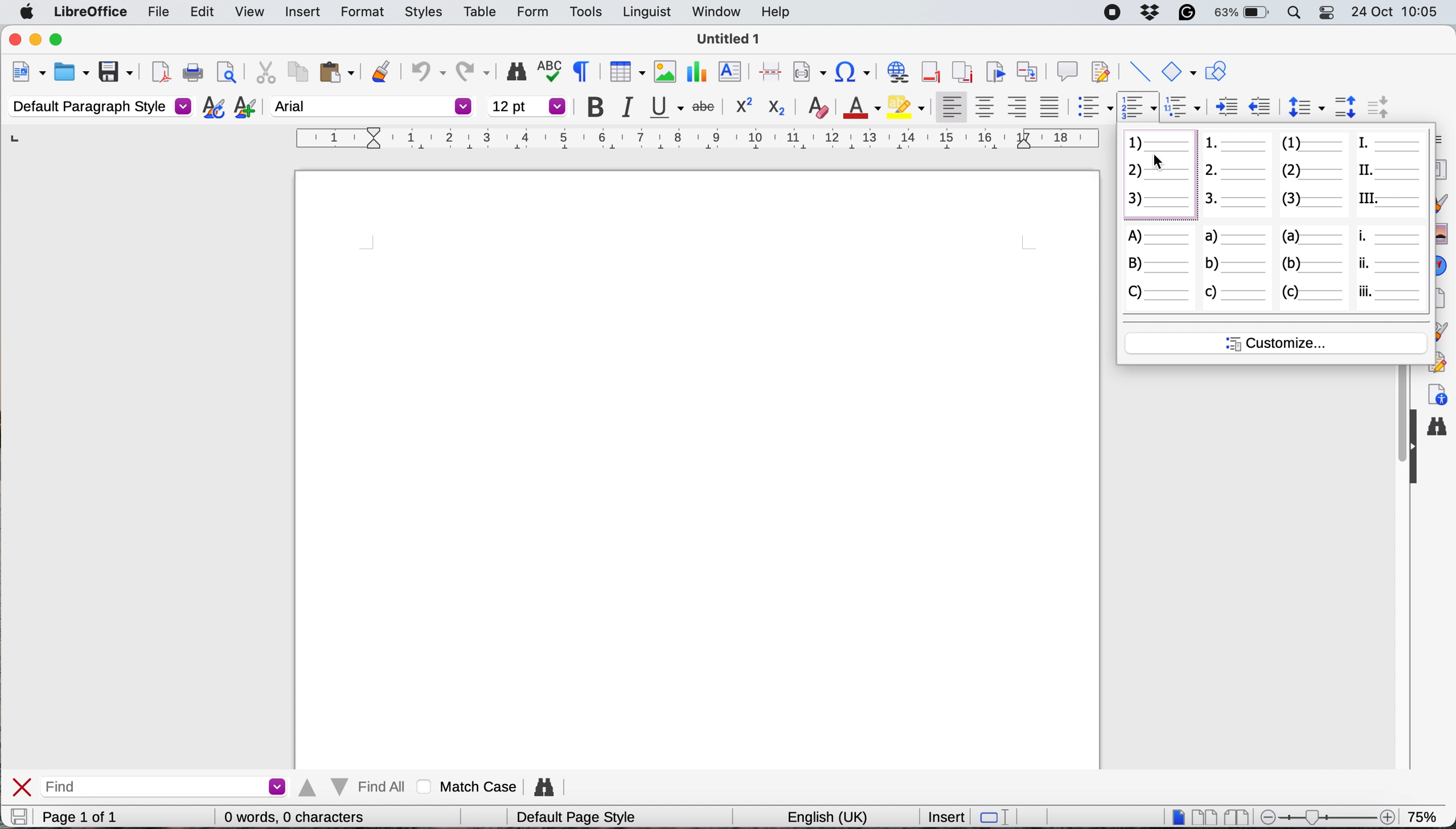 This screenshot has height=829, width=1456. Describe the element at coordinates (1239, 818) in the screenshot. I see `book view` at that location.